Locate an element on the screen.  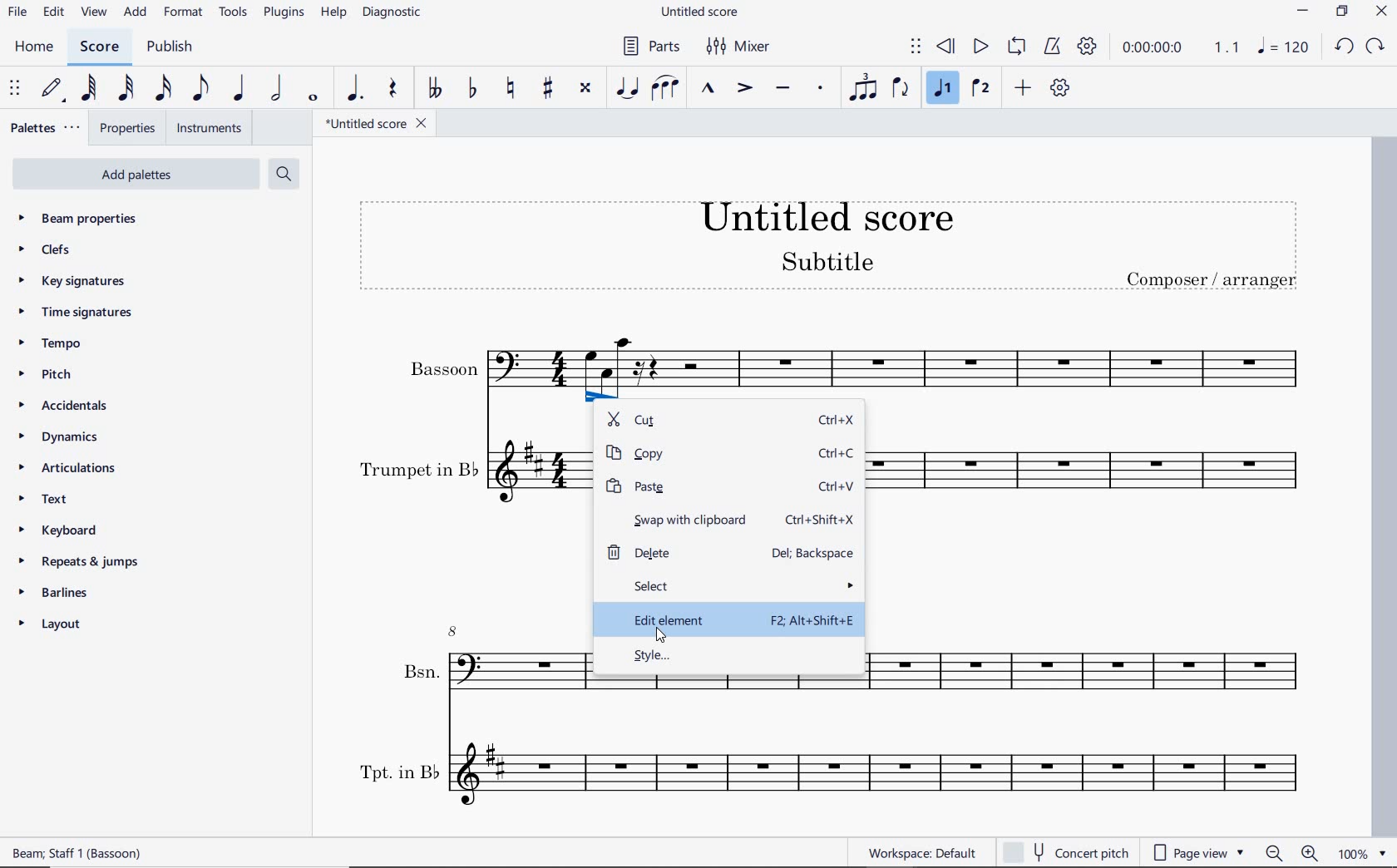
text is located at coordinates (46, 499).